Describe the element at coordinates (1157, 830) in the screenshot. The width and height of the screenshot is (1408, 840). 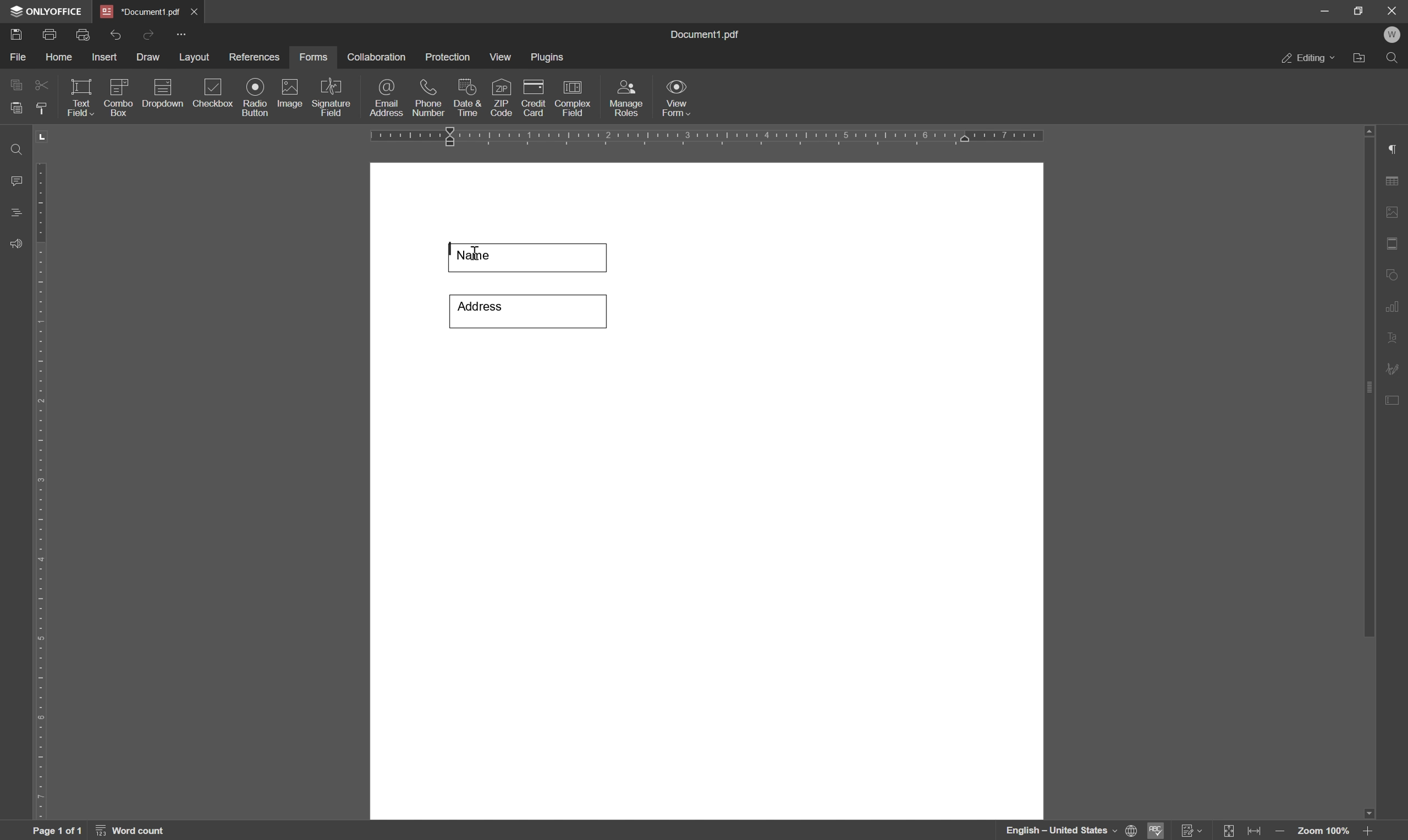
I see `spell checking` at that location.